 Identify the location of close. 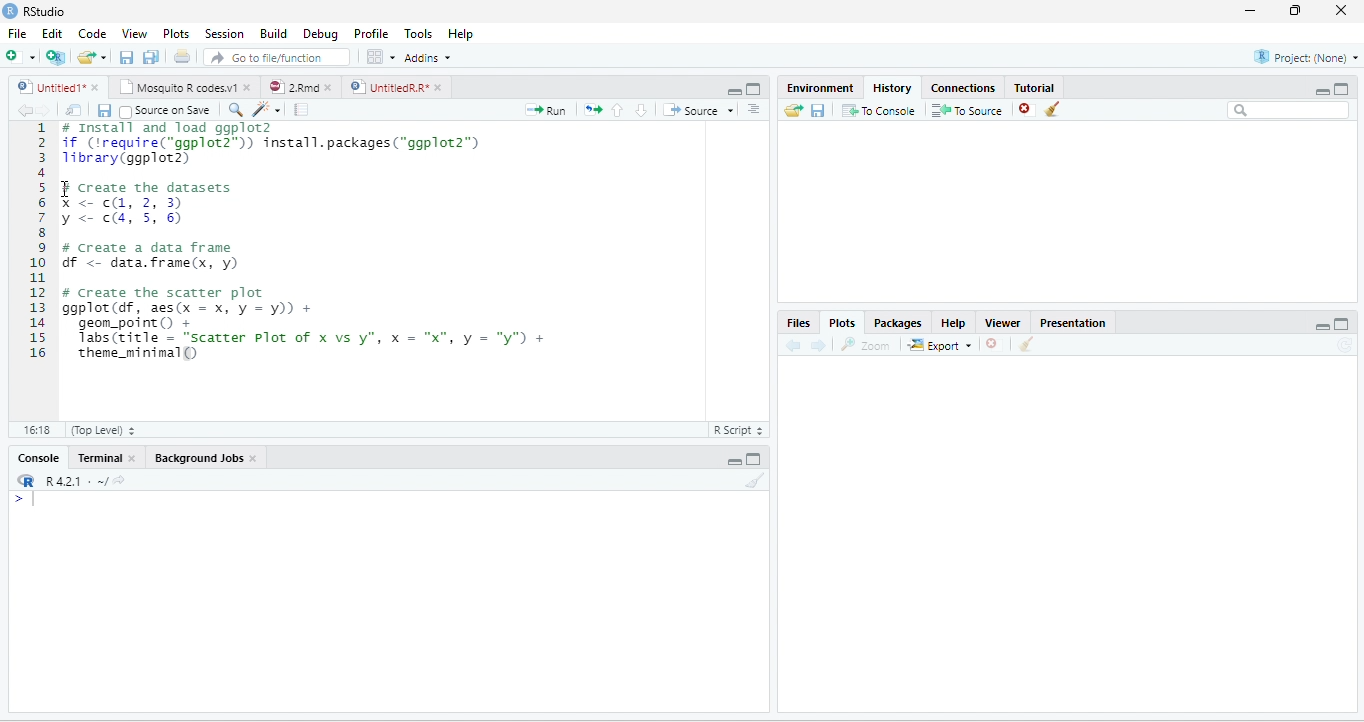
(131, 458).